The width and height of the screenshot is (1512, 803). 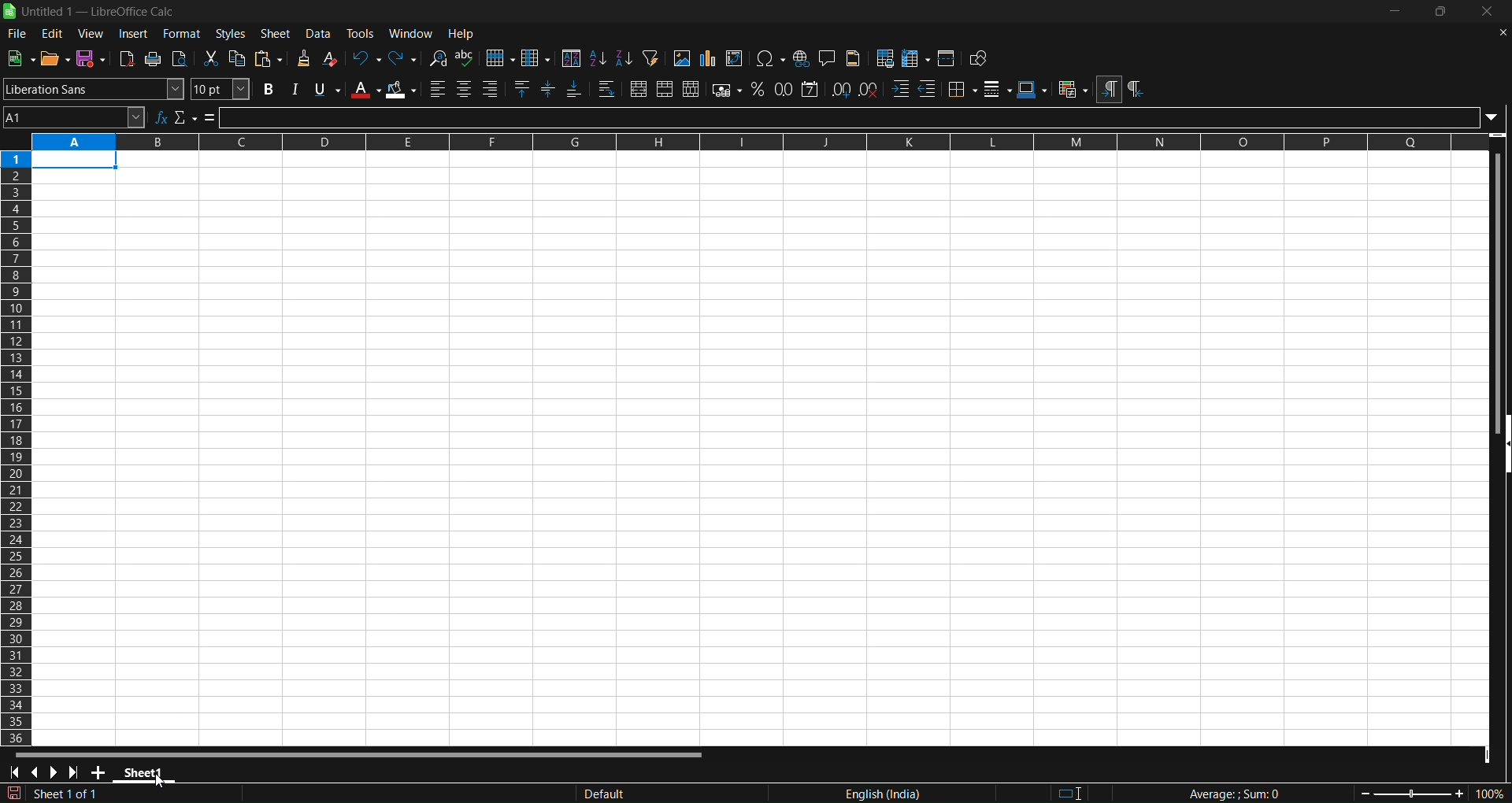 What do you see at coordinates (761, 90) in the screenshot?
I see `format  as percent` at bounding box center [761, 90].